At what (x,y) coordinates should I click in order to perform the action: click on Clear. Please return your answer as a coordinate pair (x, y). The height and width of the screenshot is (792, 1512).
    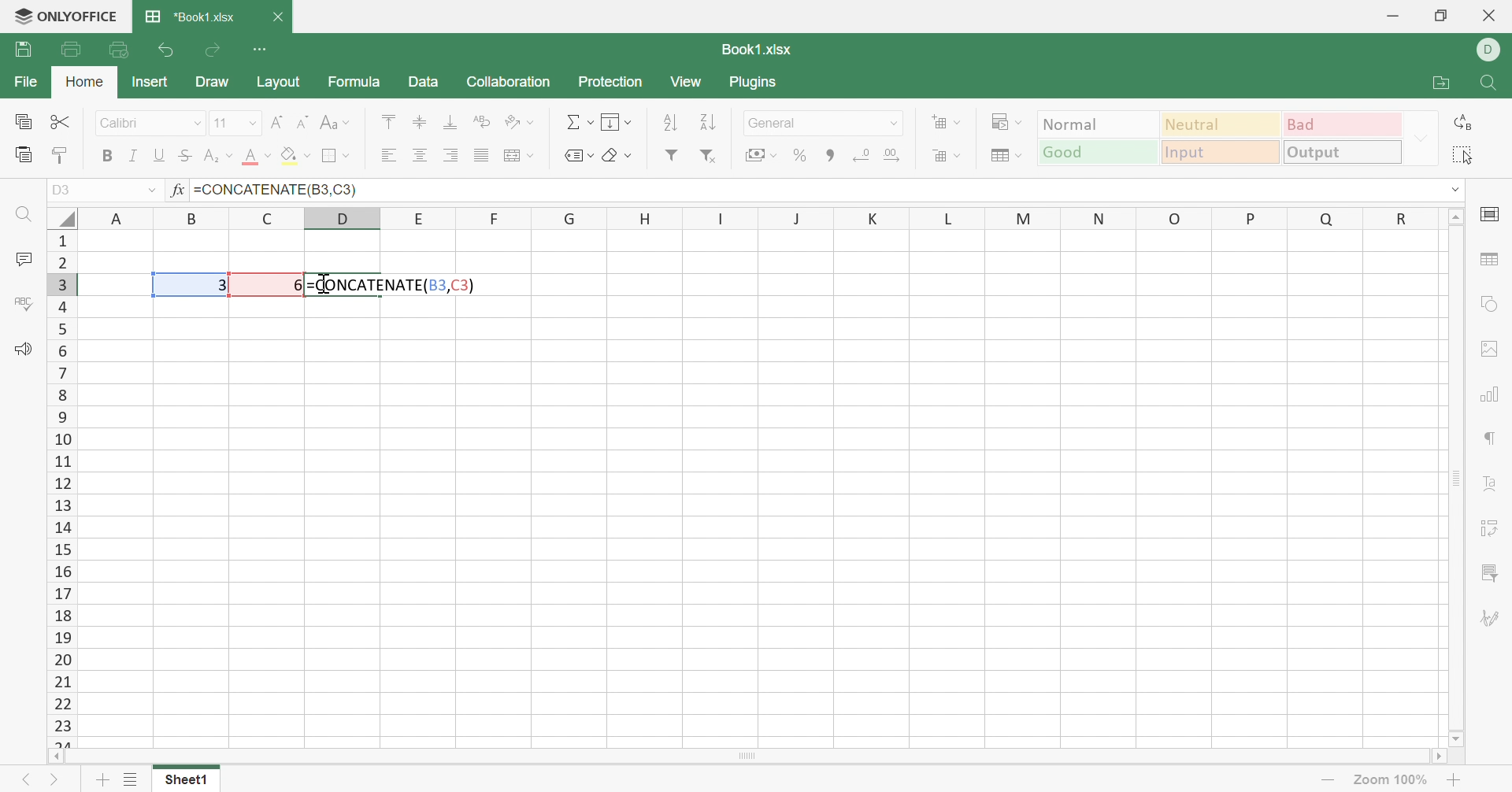
    Looking at the image, I should click on (619, 154).